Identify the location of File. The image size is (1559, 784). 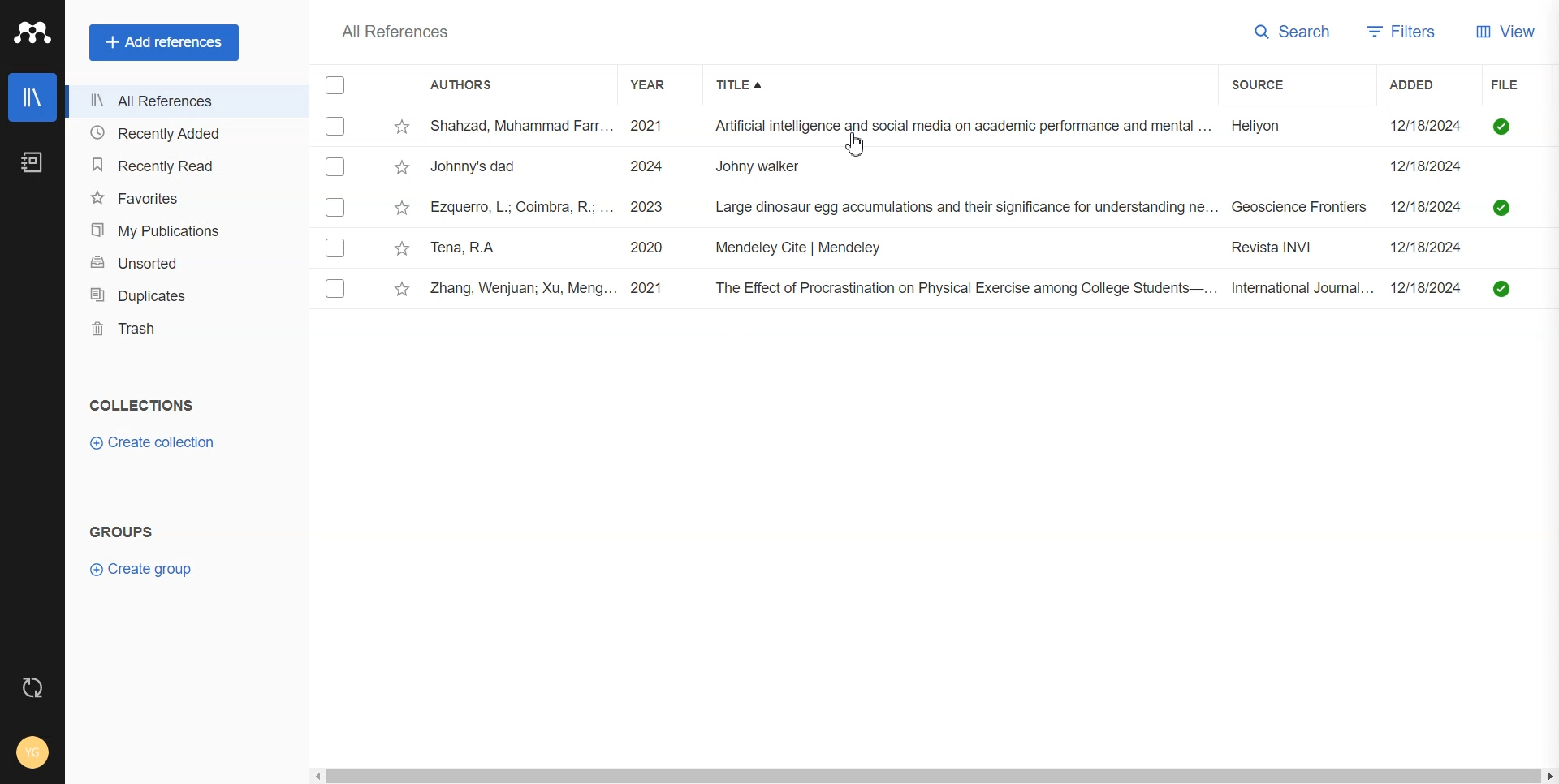
(1516, 83).